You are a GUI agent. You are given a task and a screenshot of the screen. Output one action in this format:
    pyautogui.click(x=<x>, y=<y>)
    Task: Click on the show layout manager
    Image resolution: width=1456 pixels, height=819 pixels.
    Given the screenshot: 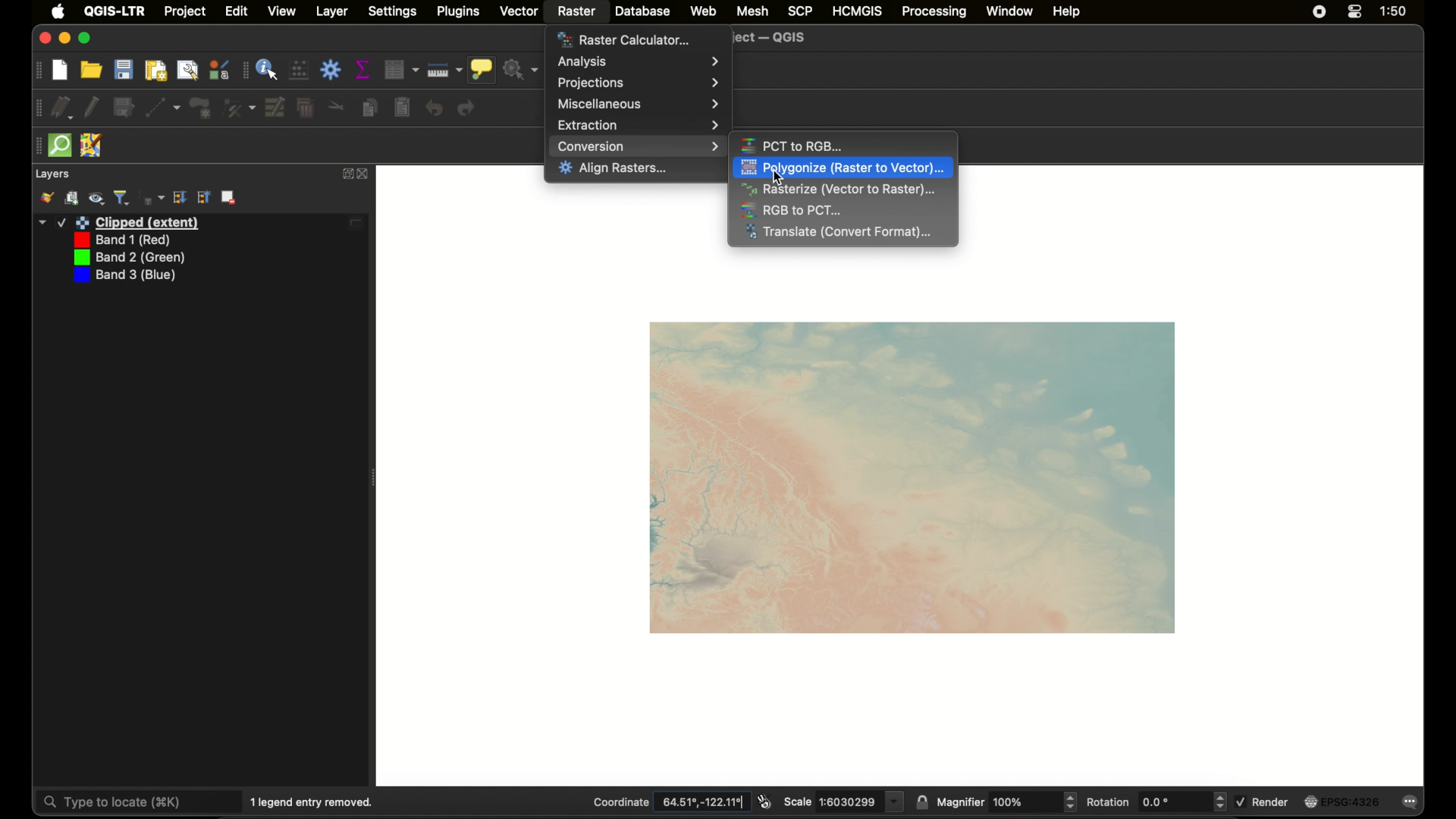 What is the action you would take?
    pyautogui.click(x=188, y=71)
    